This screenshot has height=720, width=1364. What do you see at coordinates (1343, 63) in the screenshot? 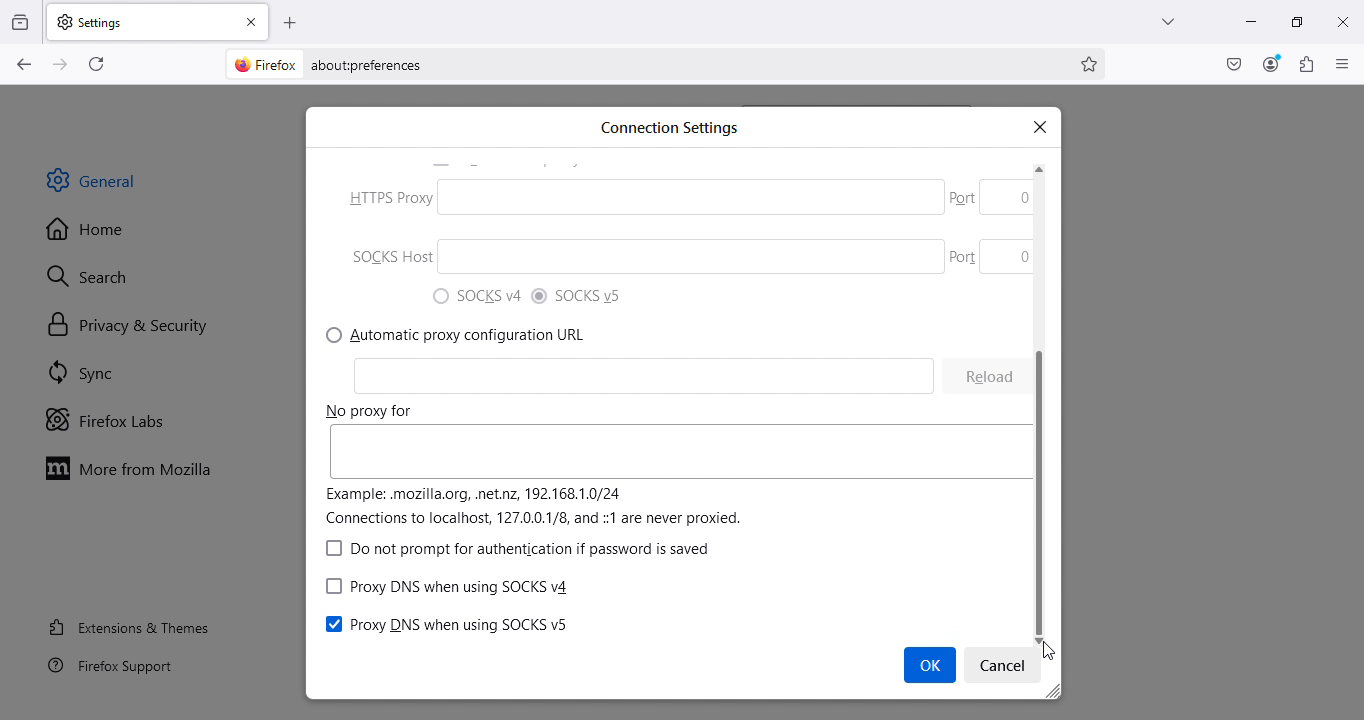
I see `Open application menu` at bounding box center [1343, 63].